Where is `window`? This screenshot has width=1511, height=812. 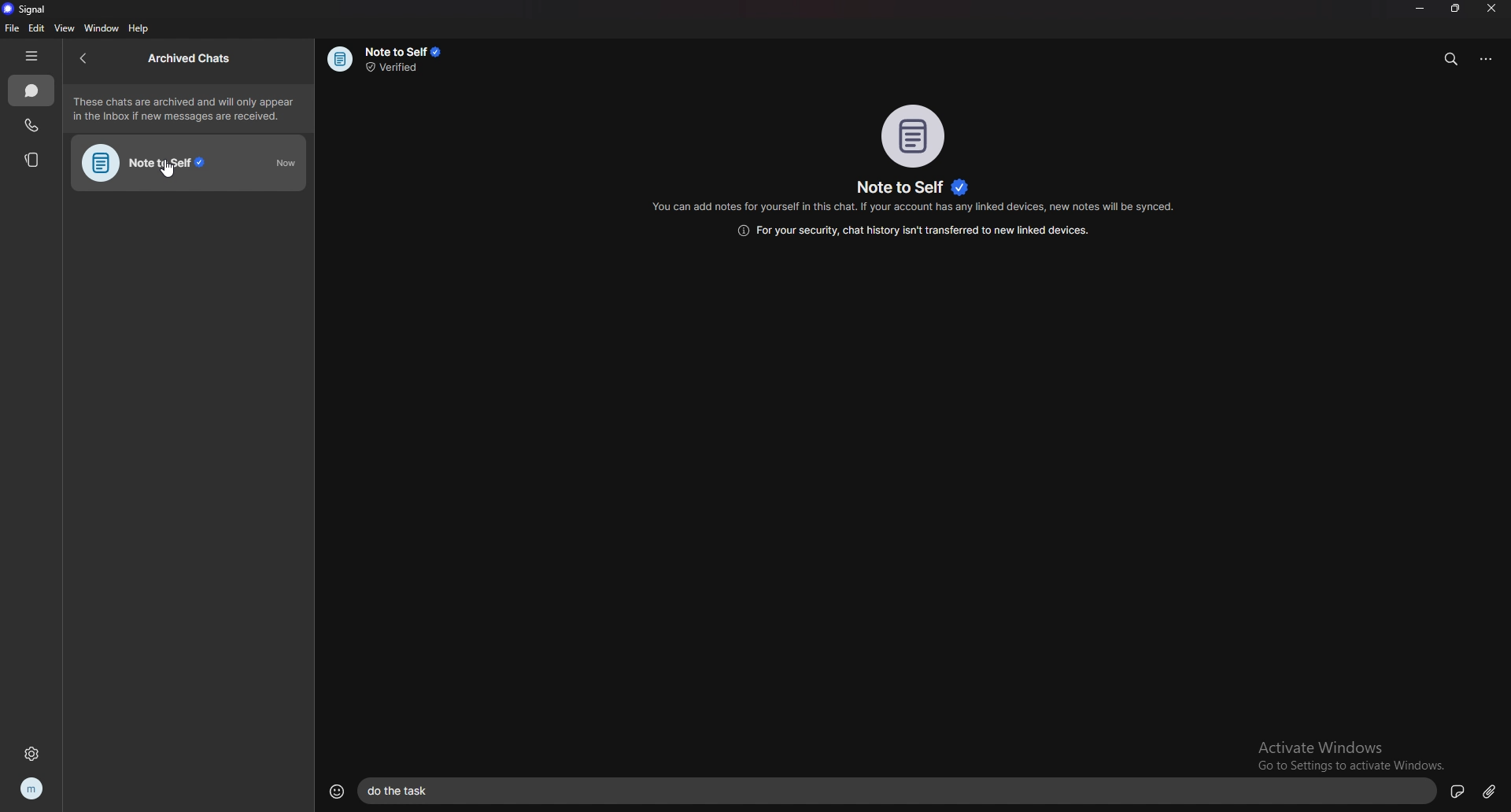
window is located at coordinates (102, 28).